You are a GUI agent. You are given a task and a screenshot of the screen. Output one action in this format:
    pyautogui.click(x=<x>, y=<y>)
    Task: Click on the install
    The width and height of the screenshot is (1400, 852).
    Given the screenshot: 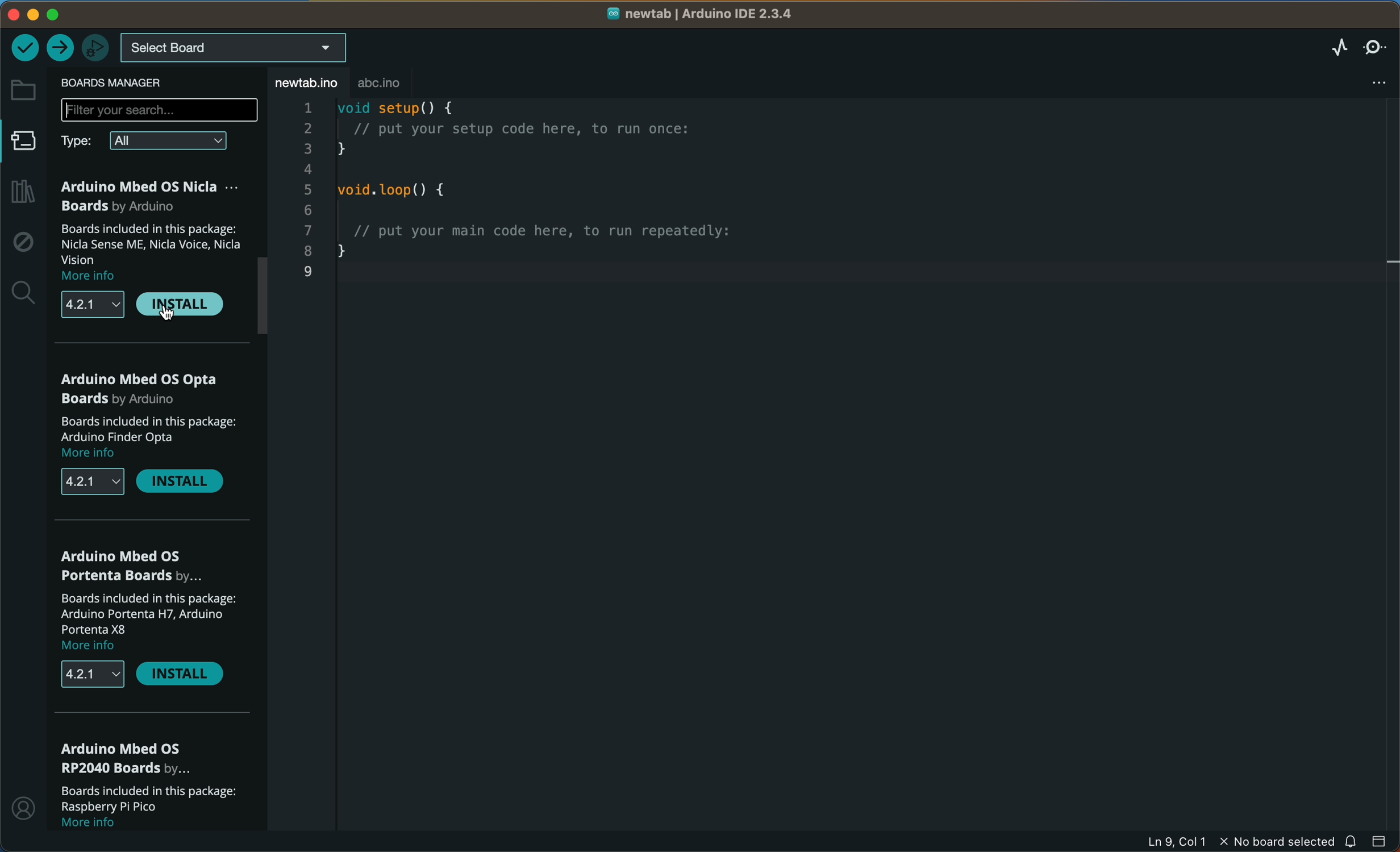 What is the action you would take?
    pyautogui.click(x=177, y=484)
    